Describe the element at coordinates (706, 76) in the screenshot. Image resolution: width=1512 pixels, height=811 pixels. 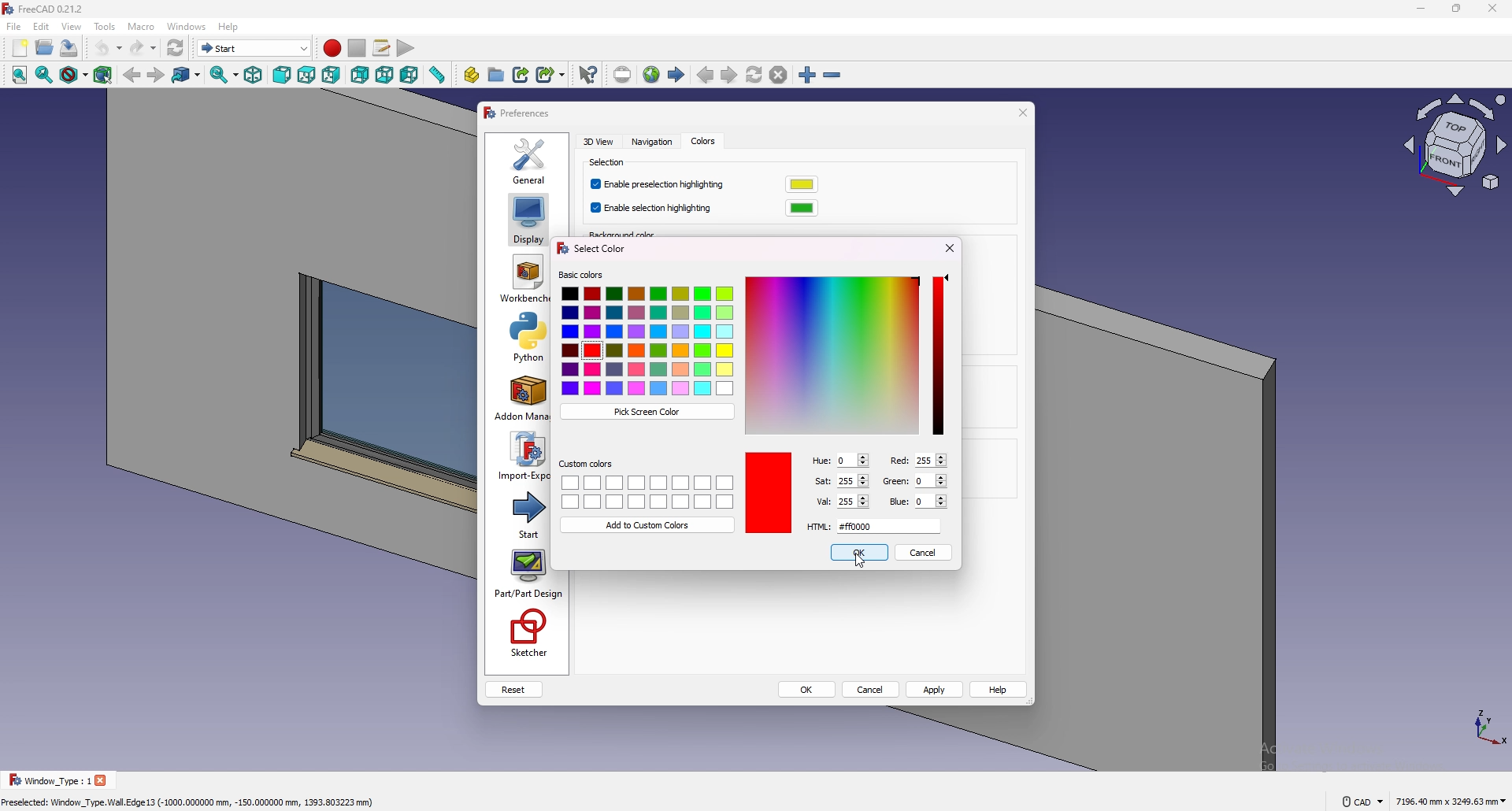
I see `previous page` at that location.